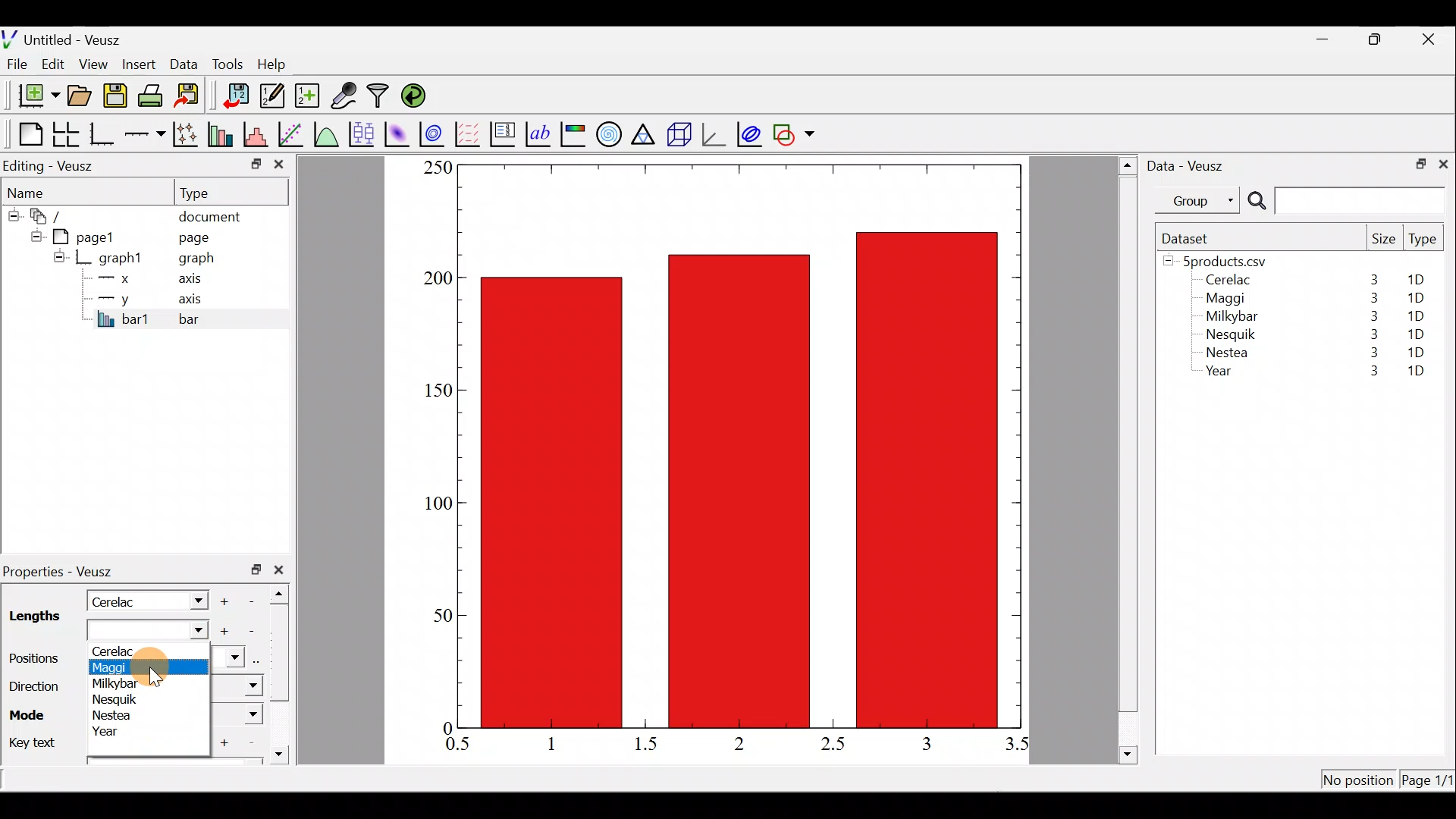 This screenshot has width=1456, height=819. What do you see at coordinates (193, 237) in the screenshot?
I see `page` at bounding box center [193, 237].